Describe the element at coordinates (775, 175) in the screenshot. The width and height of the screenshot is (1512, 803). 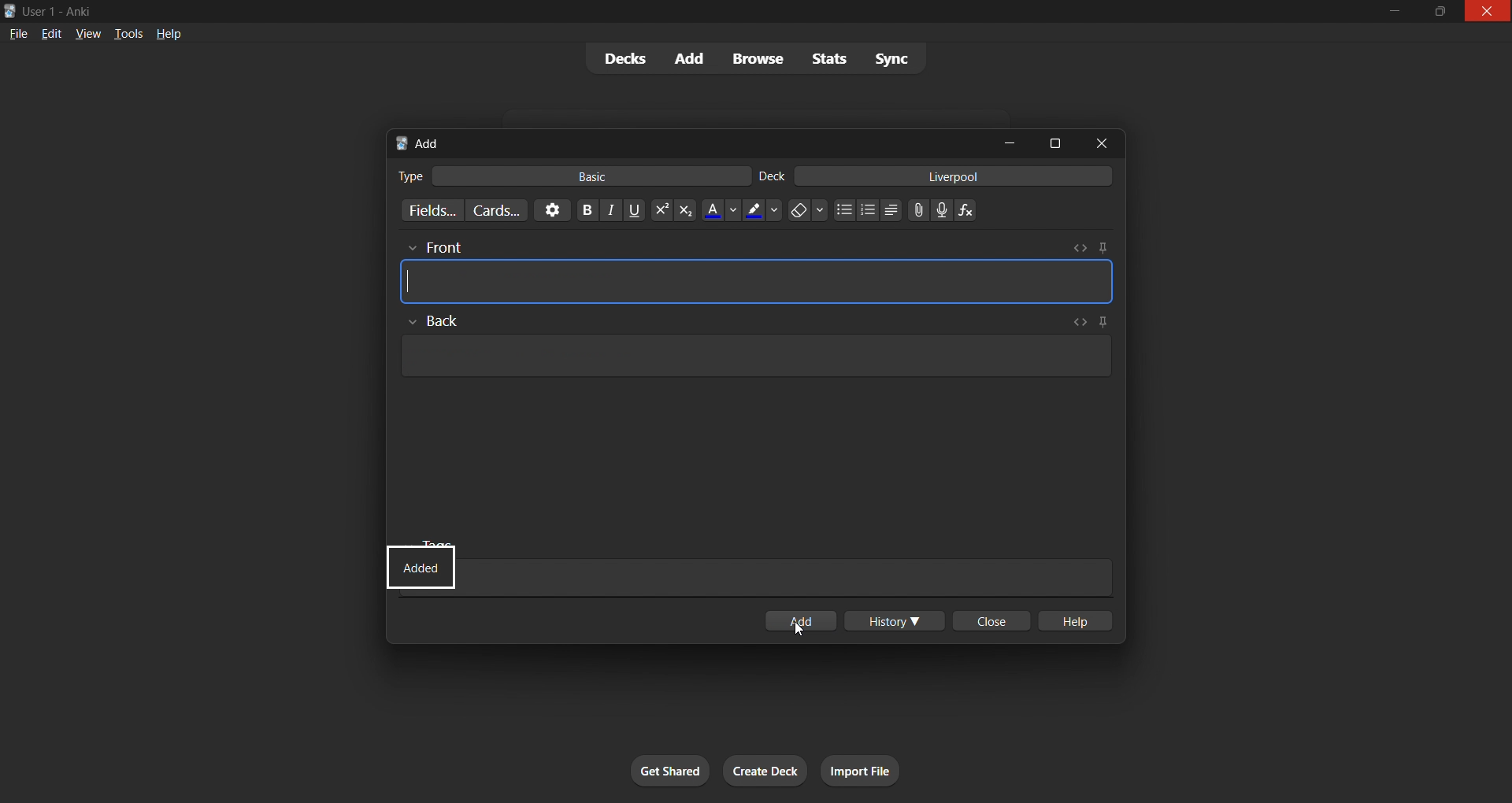
I see `deck ` at that location.